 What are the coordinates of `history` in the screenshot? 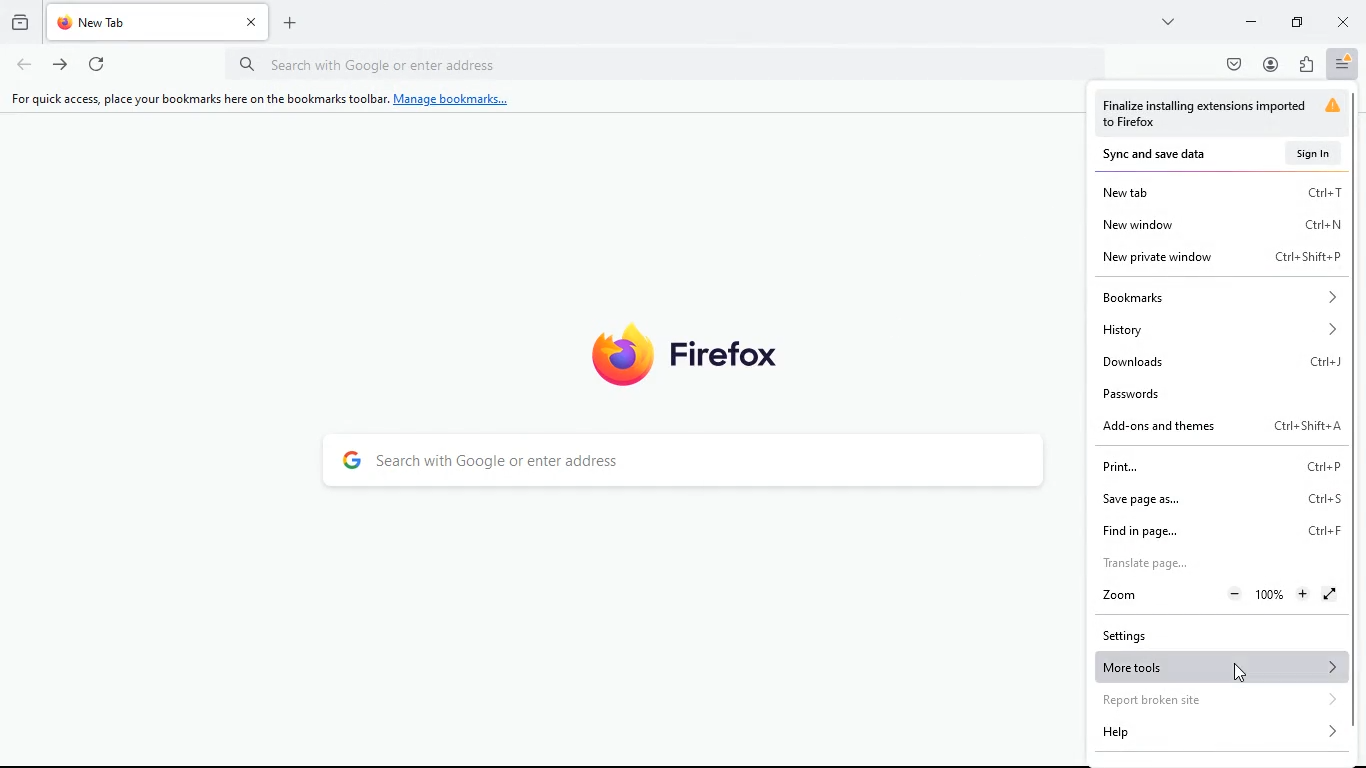 It's located at (1217, 330).